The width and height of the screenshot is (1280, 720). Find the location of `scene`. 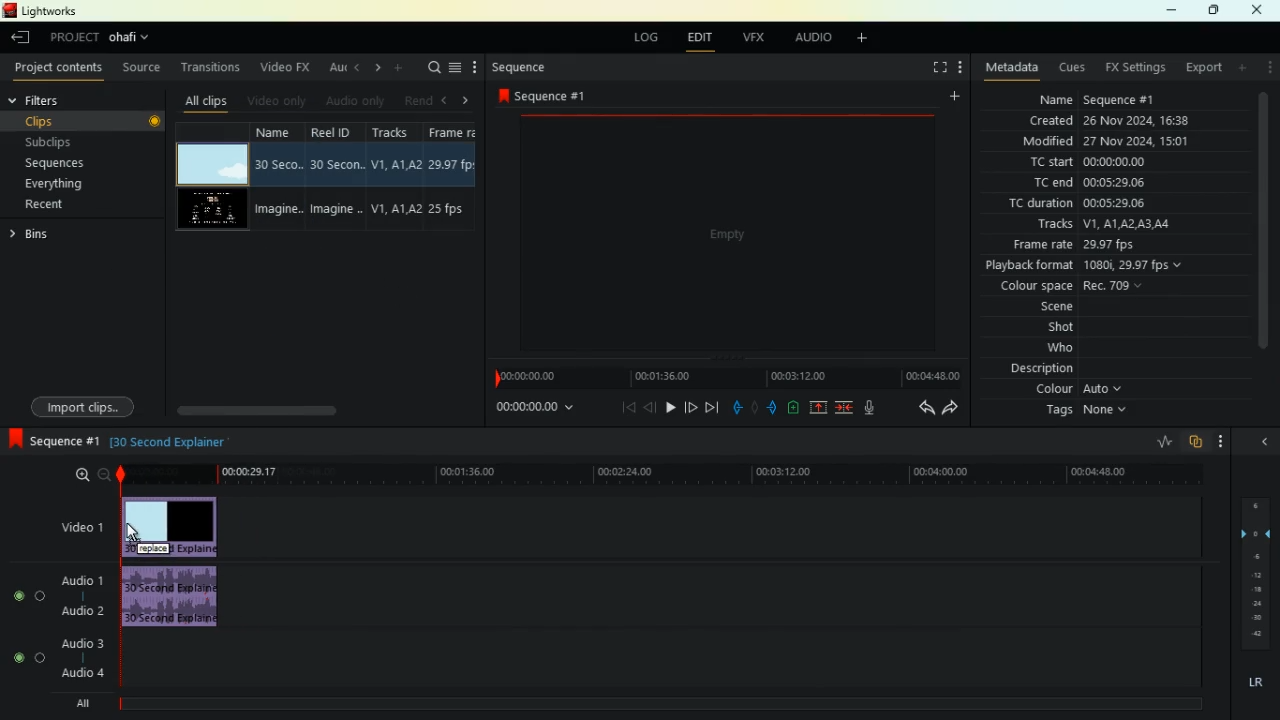

scene is located at coordinates (1062, 308).